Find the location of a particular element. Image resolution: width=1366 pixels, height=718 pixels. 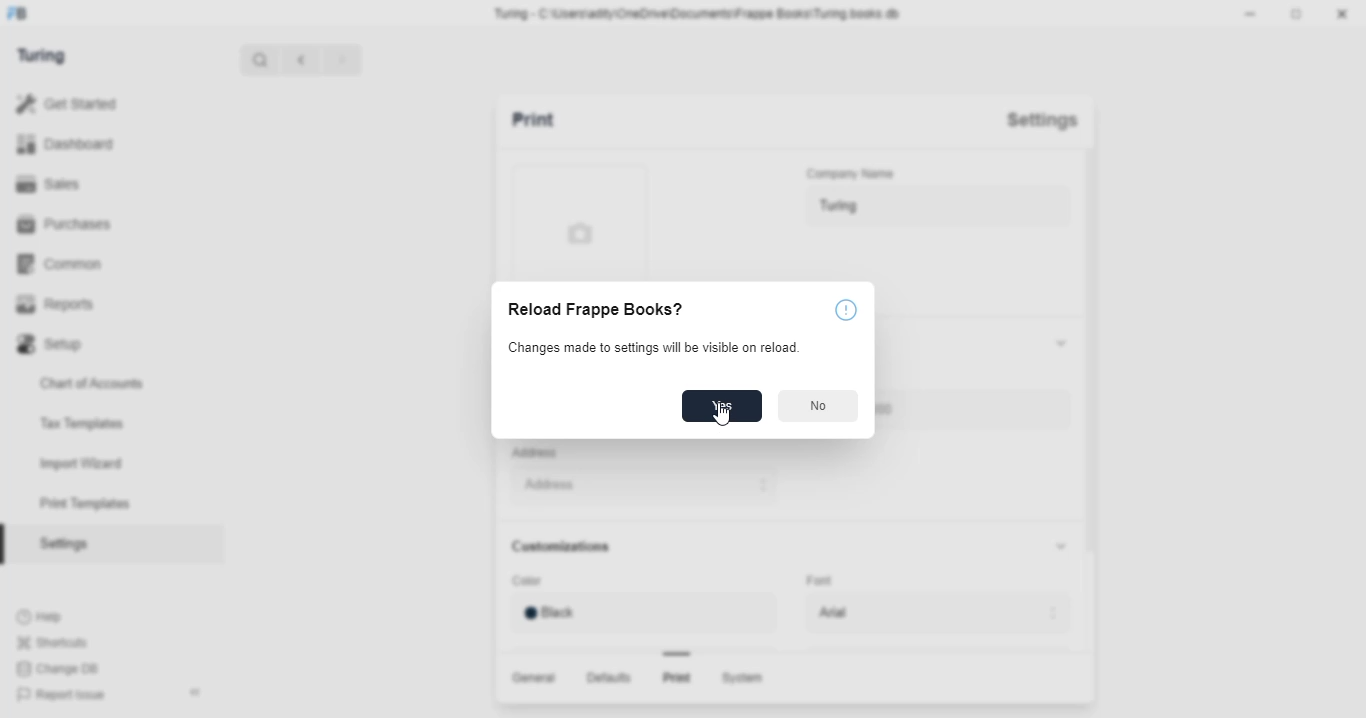

go back is located at coordinates (301, 58).